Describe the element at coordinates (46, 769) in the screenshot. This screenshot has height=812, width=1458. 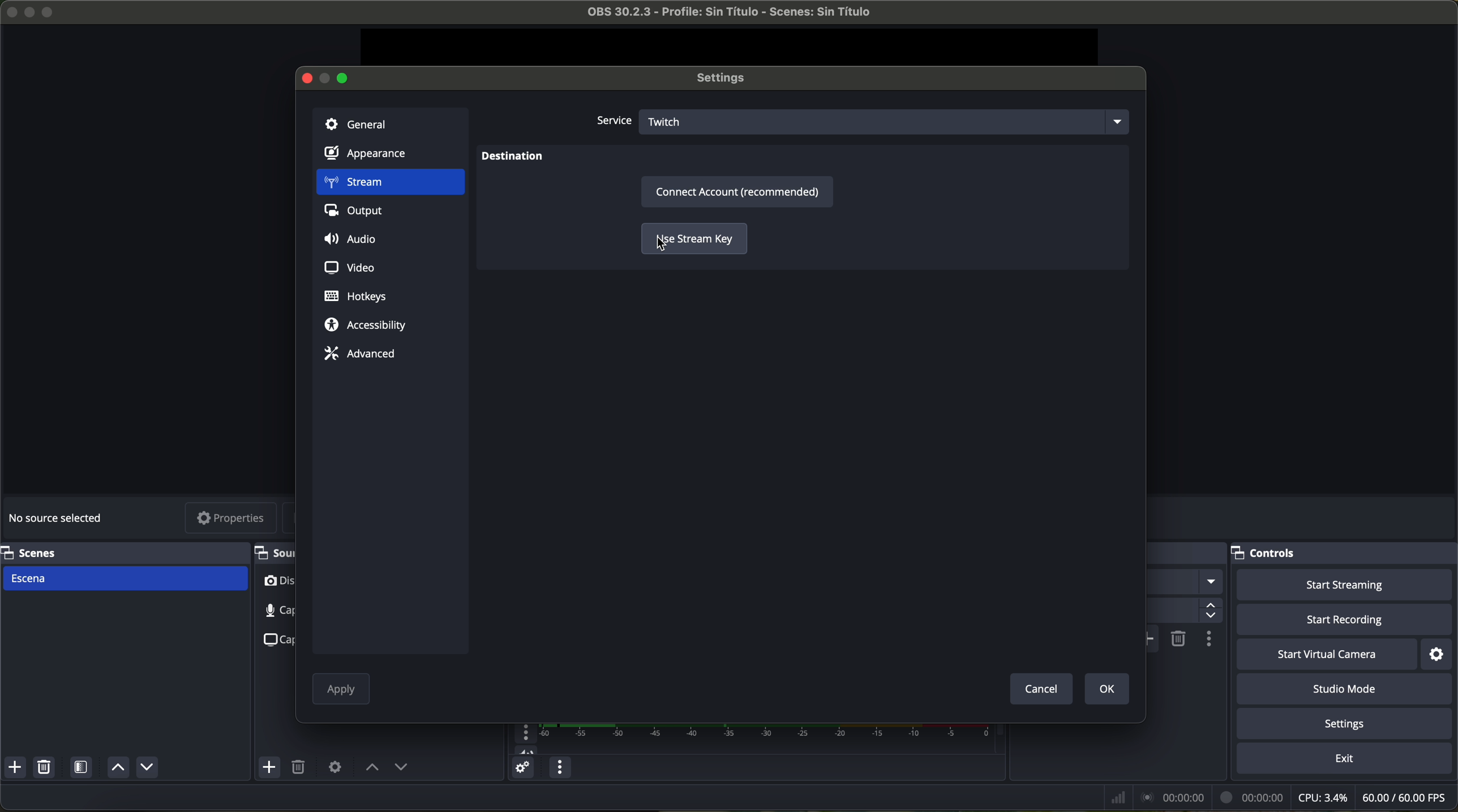
I see `remove selected scene` at that location.